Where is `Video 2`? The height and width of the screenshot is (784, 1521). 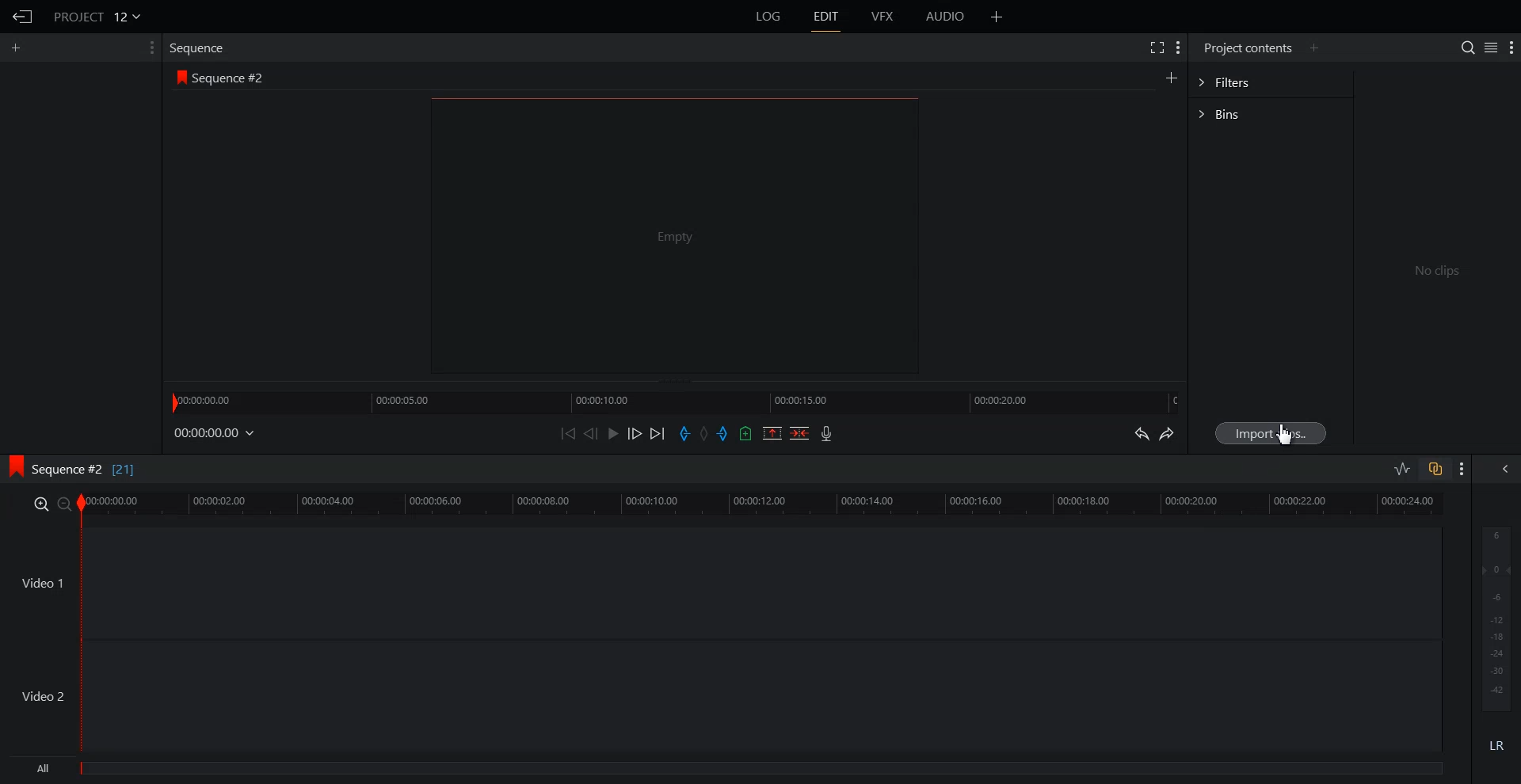
Video 2 is located at coordinates (723, 697).